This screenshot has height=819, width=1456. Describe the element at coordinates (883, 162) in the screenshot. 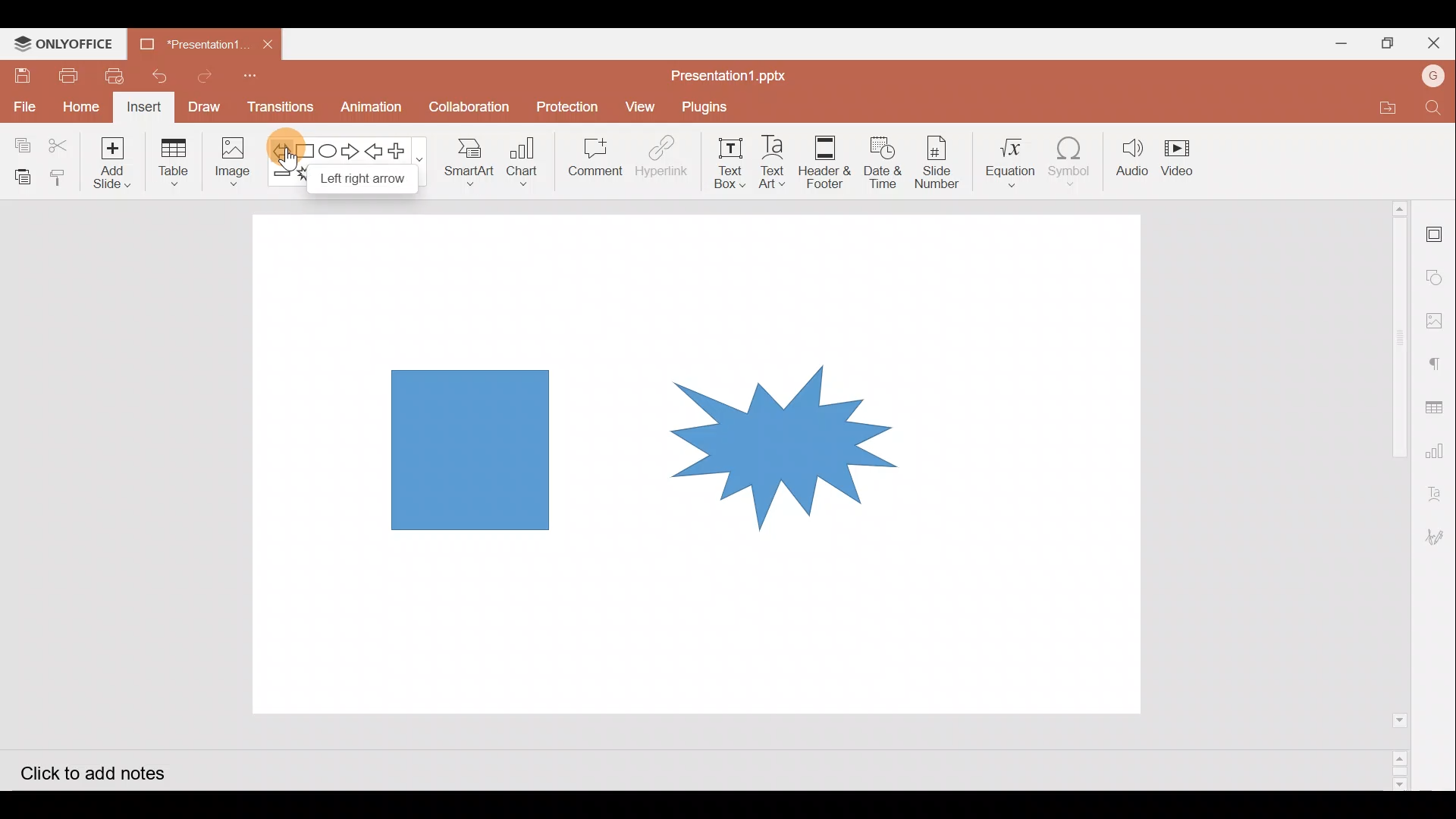

I see `Date & time` at that location.